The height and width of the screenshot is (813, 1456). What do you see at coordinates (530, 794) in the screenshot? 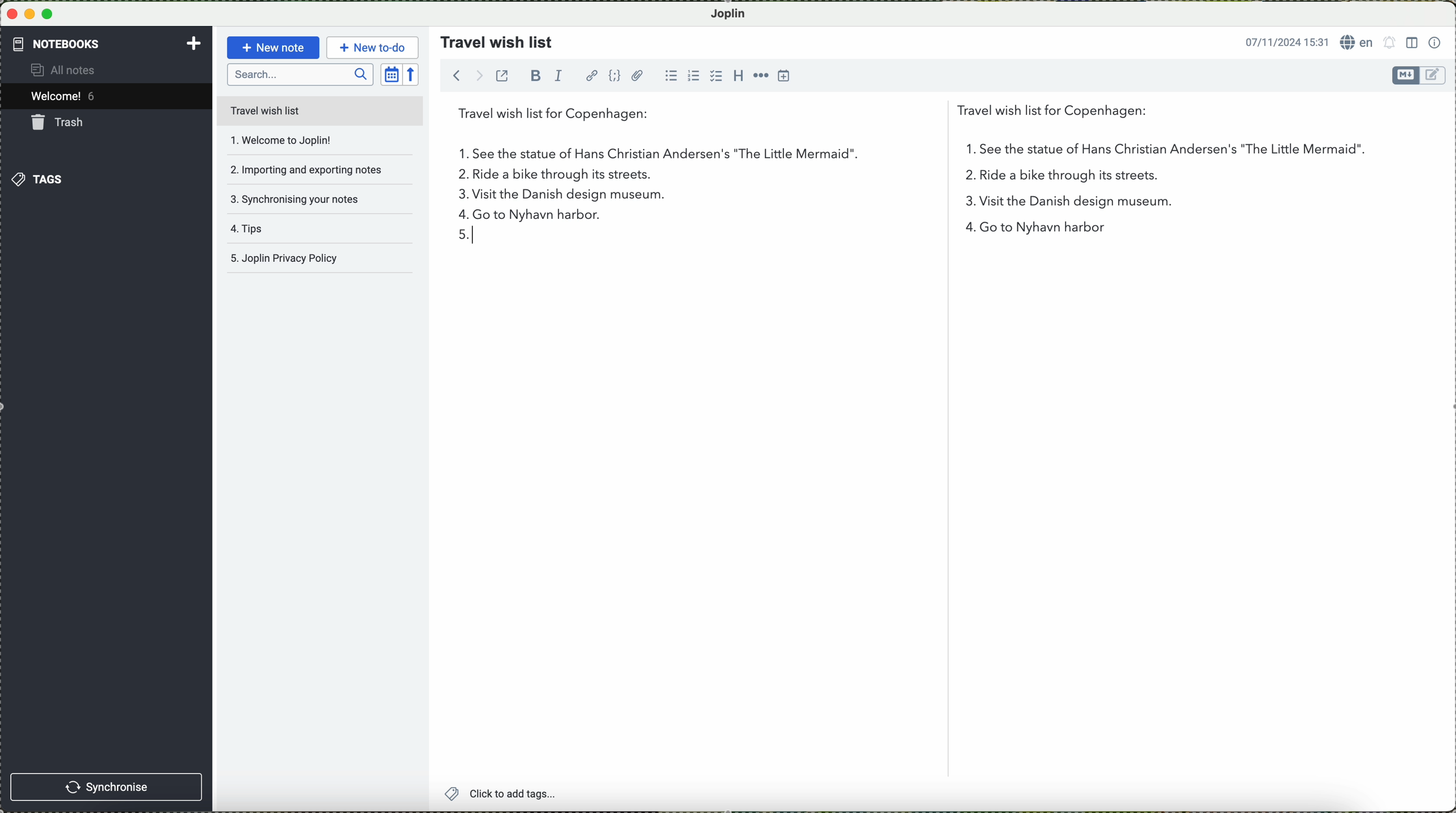
I see `click to add tags` at bounding box center [530, 794].